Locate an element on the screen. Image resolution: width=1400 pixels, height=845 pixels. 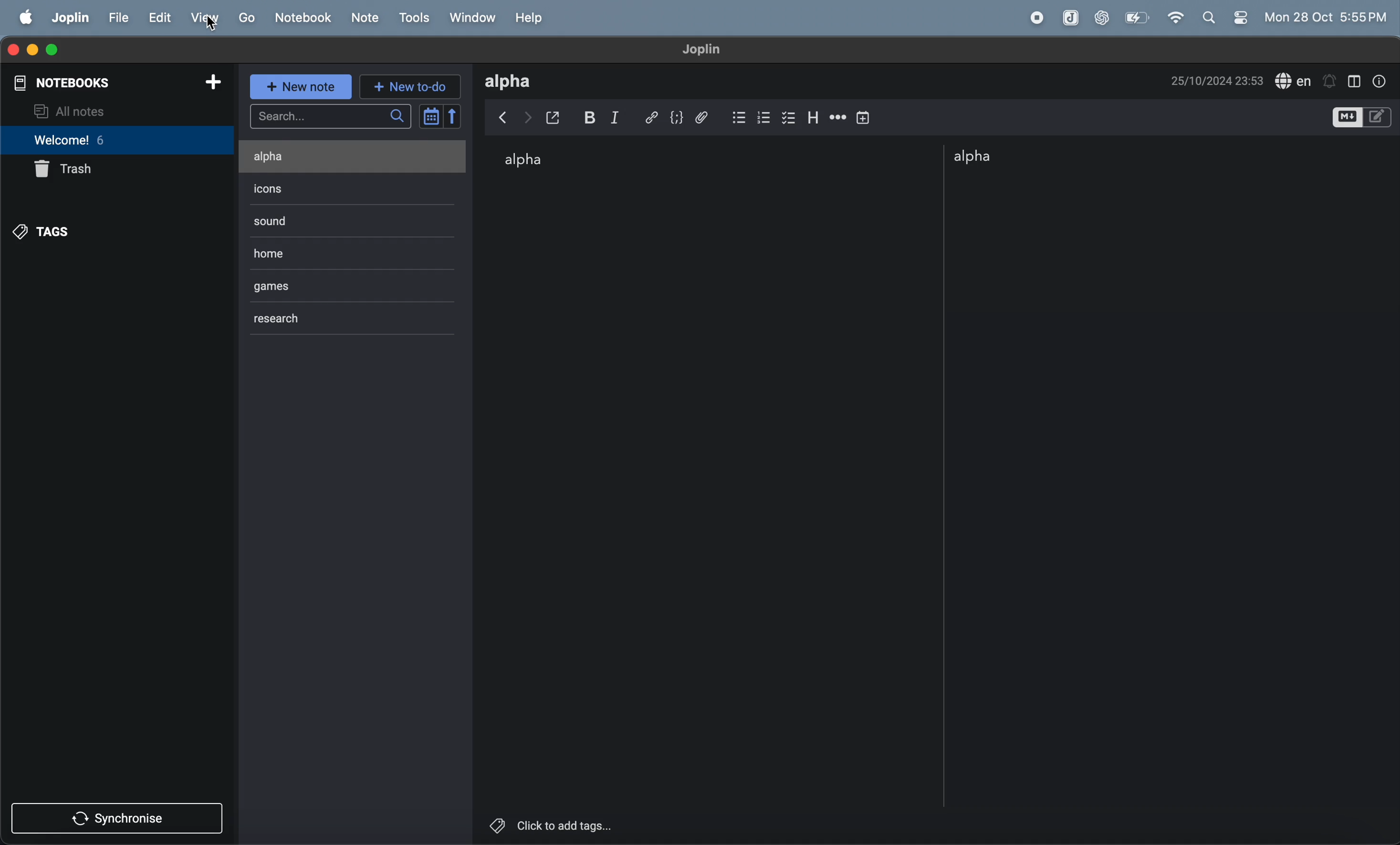
toggle external editing is located at coordinates (559, 116).